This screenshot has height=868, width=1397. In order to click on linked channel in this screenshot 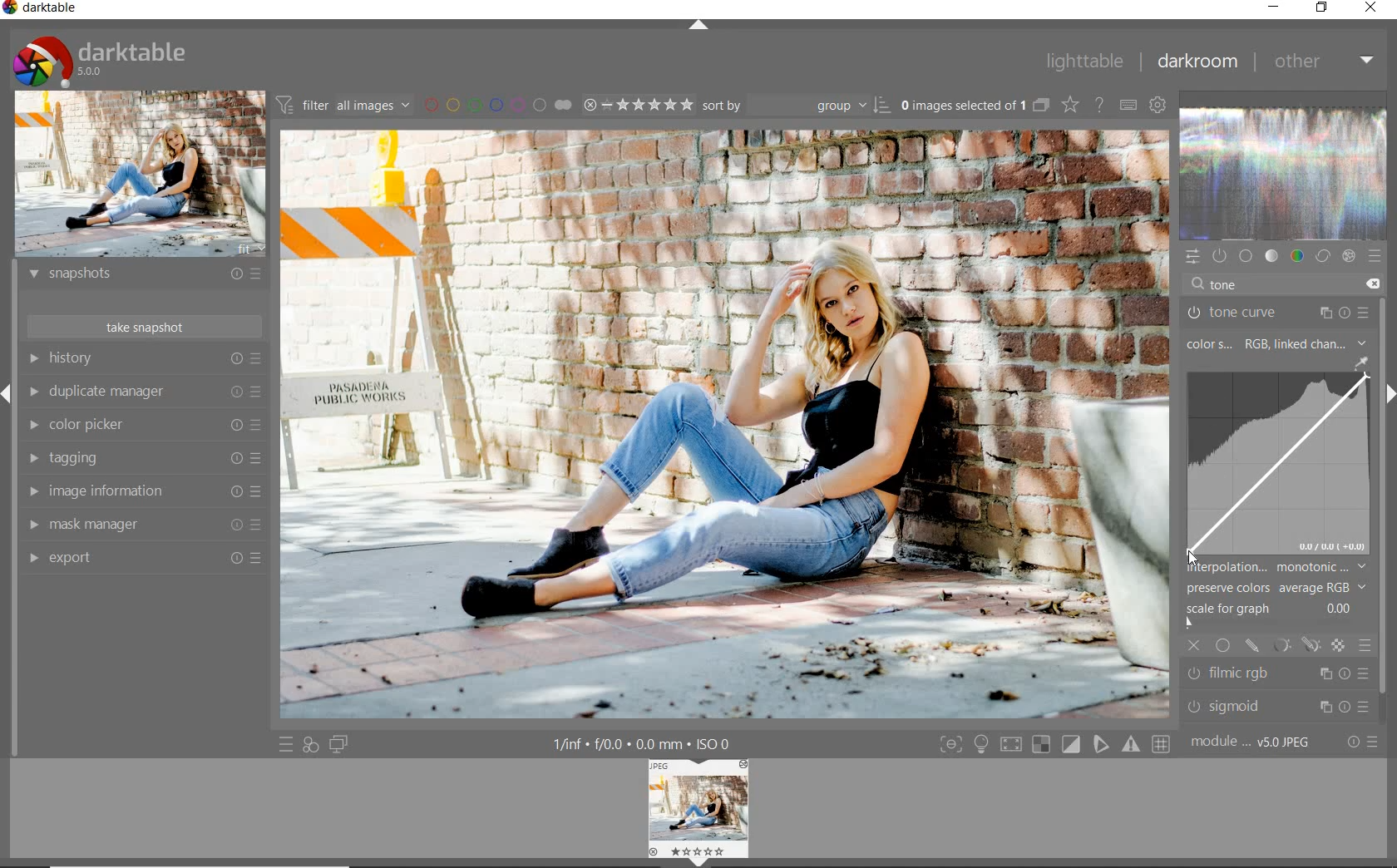, I will do `click(1325, 343)`.